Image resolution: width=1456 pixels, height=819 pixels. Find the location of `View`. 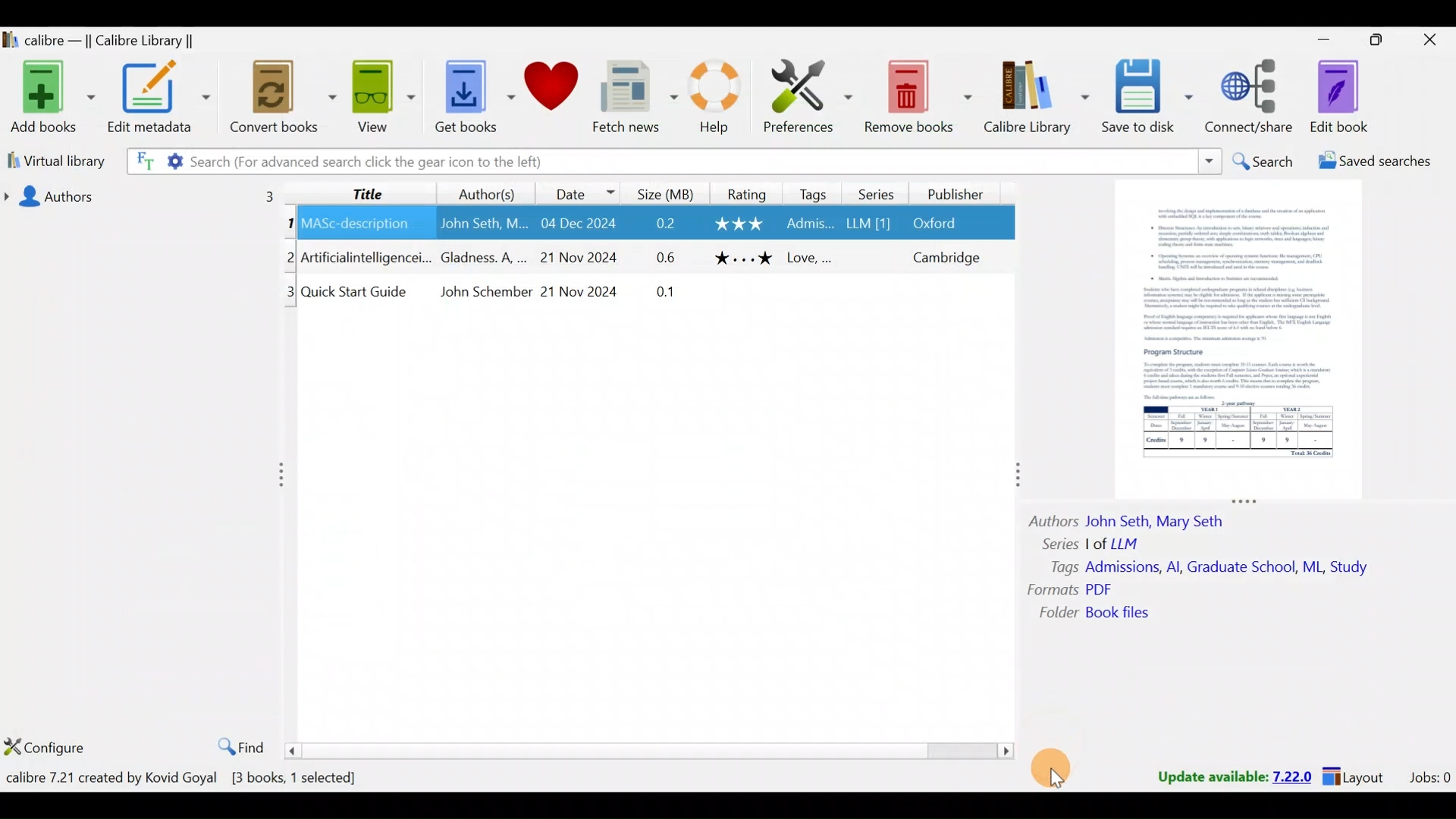

View is located at coordinates (384, 97).